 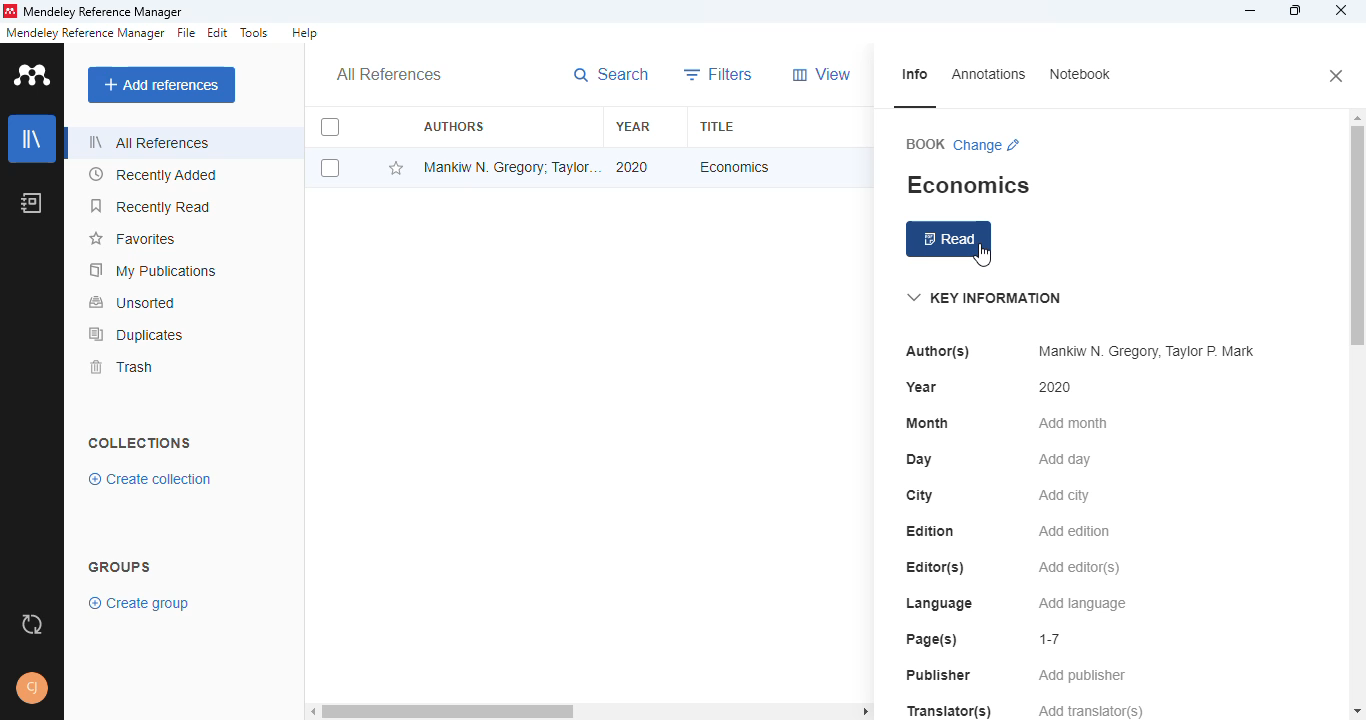 What do you see at coordinates (988, 146) in the screenshot?
I see `change` at bounding box center [988, 146].